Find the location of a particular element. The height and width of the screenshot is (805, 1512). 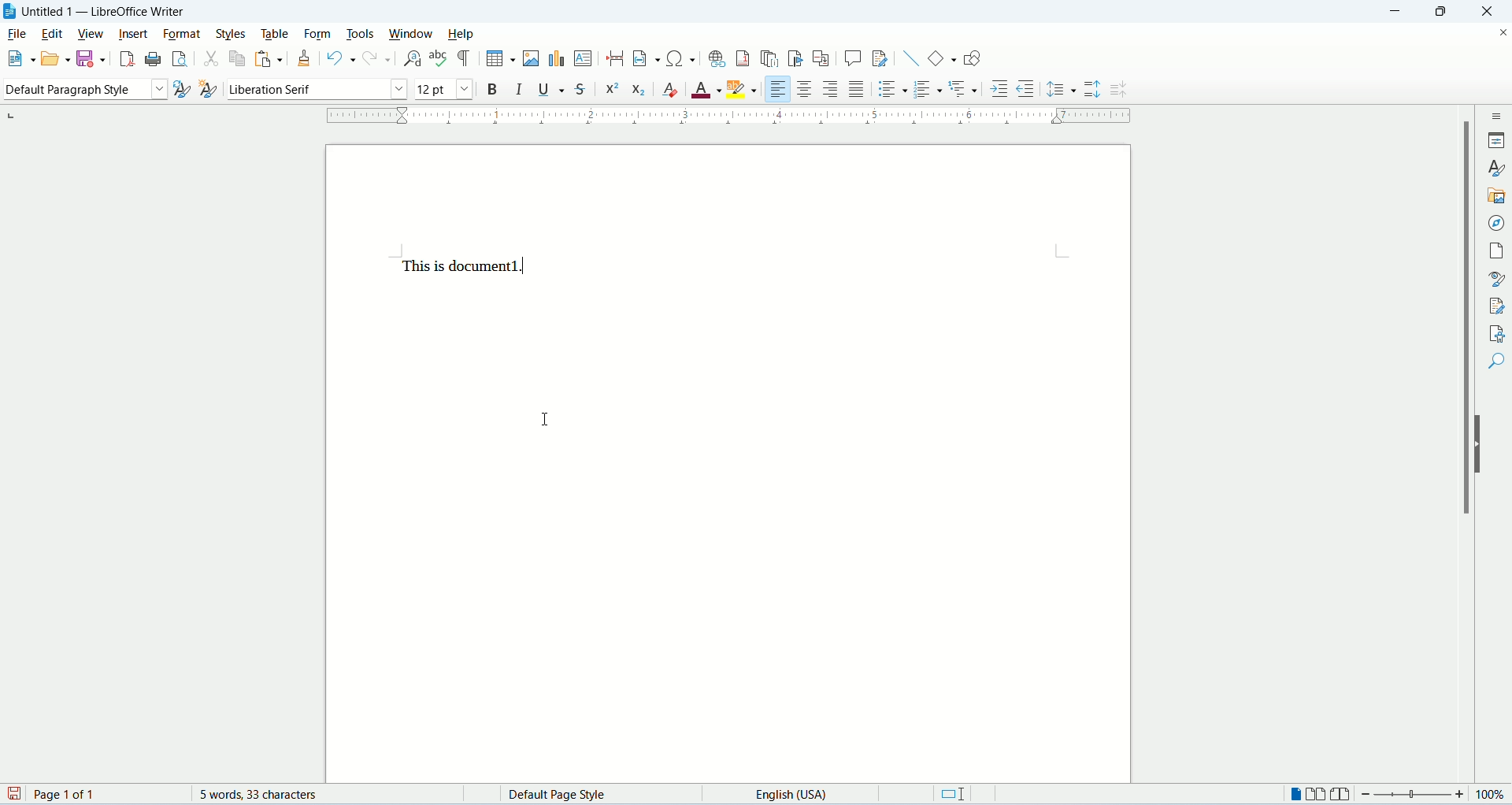

close document is located at coordinates (1499, 32).